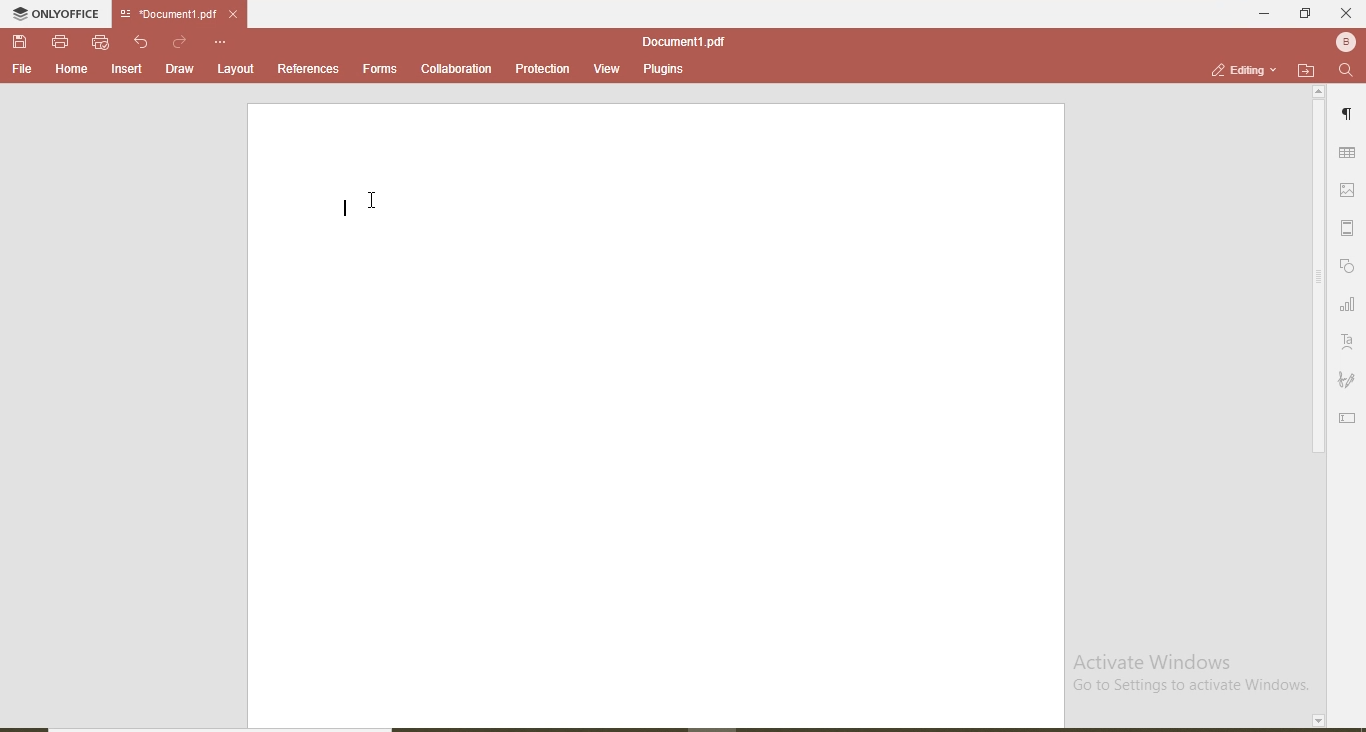 This screenshot has height=732, width=1366. I want to click on graph, so click(1347, 306).